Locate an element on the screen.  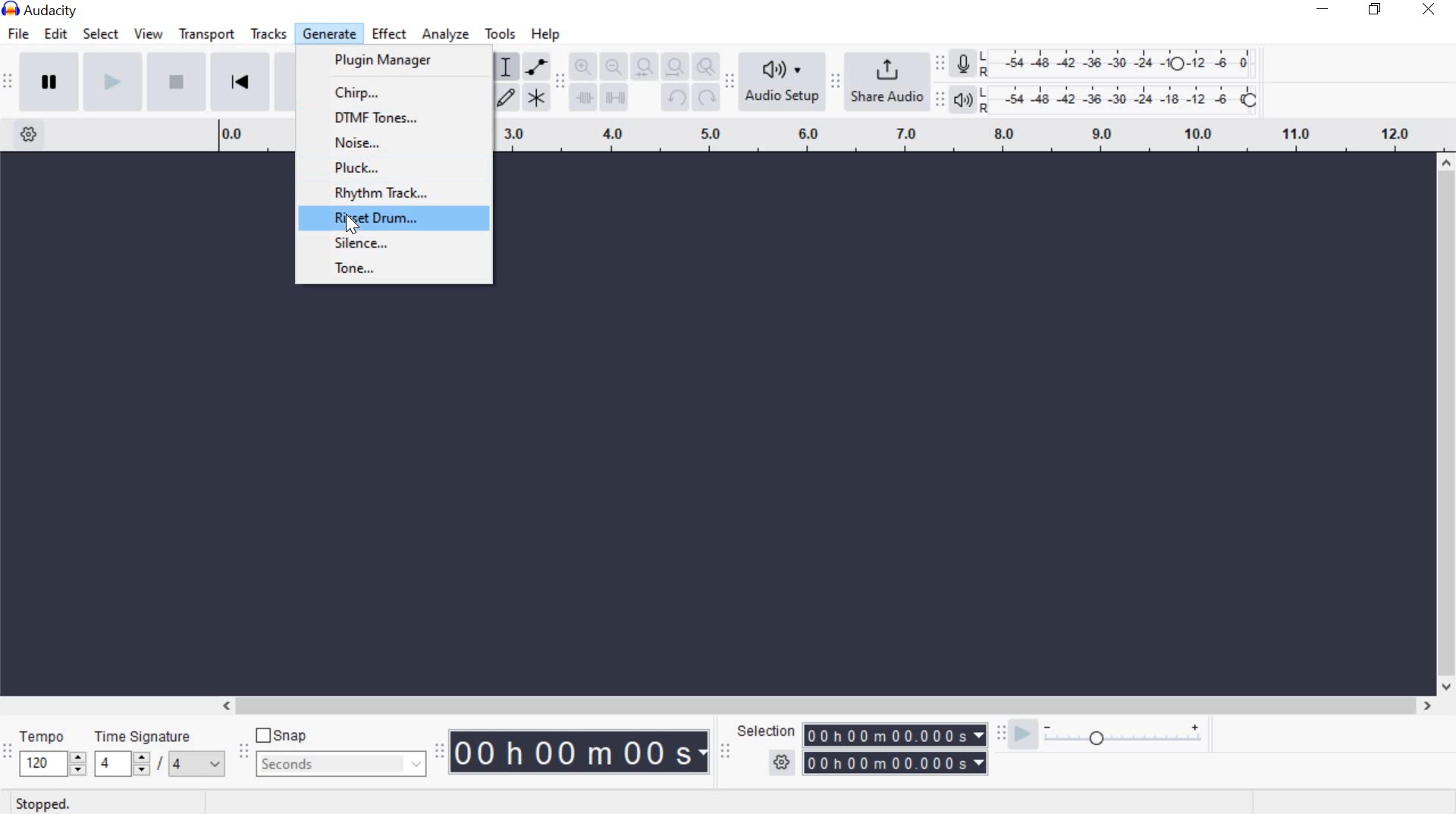
riset drum is located at coordinates (398, 219).